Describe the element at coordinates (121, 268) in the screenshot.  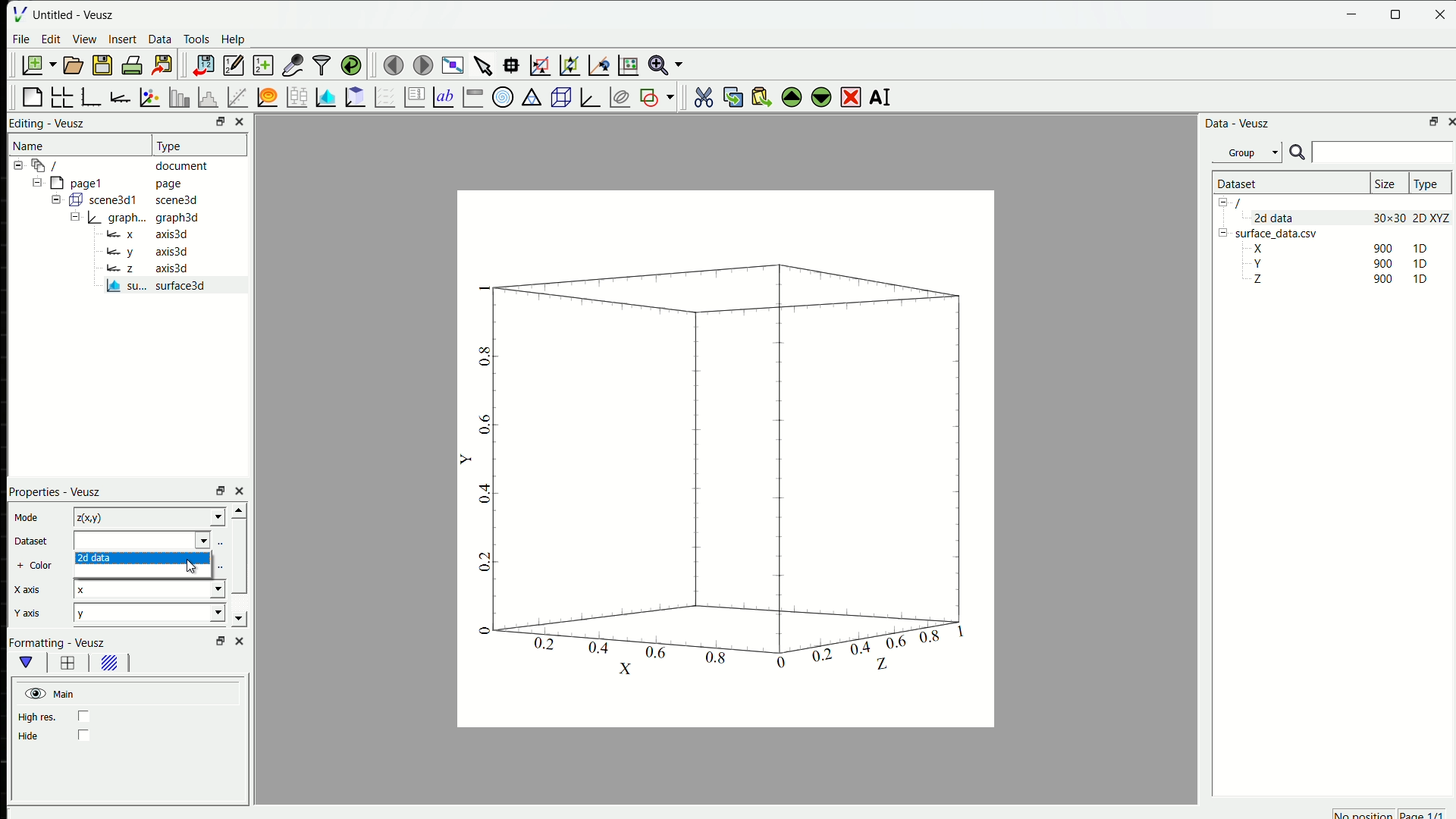
I see `z` at that location.